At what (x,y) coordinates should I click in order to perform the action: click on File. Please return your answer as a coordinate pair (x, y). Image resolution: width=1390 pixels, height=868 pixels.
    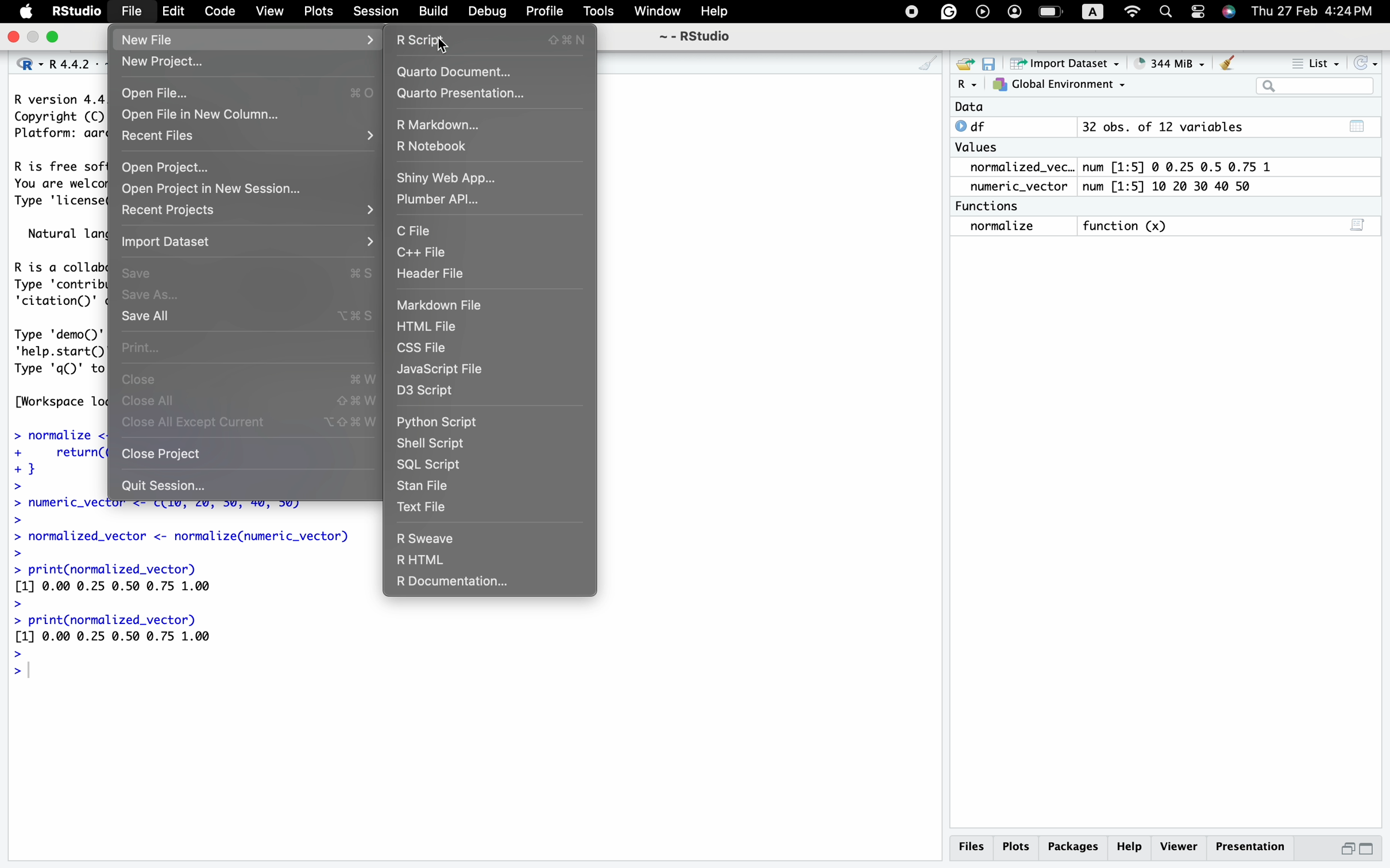
    Looking at the image, I should click on (129, 13).